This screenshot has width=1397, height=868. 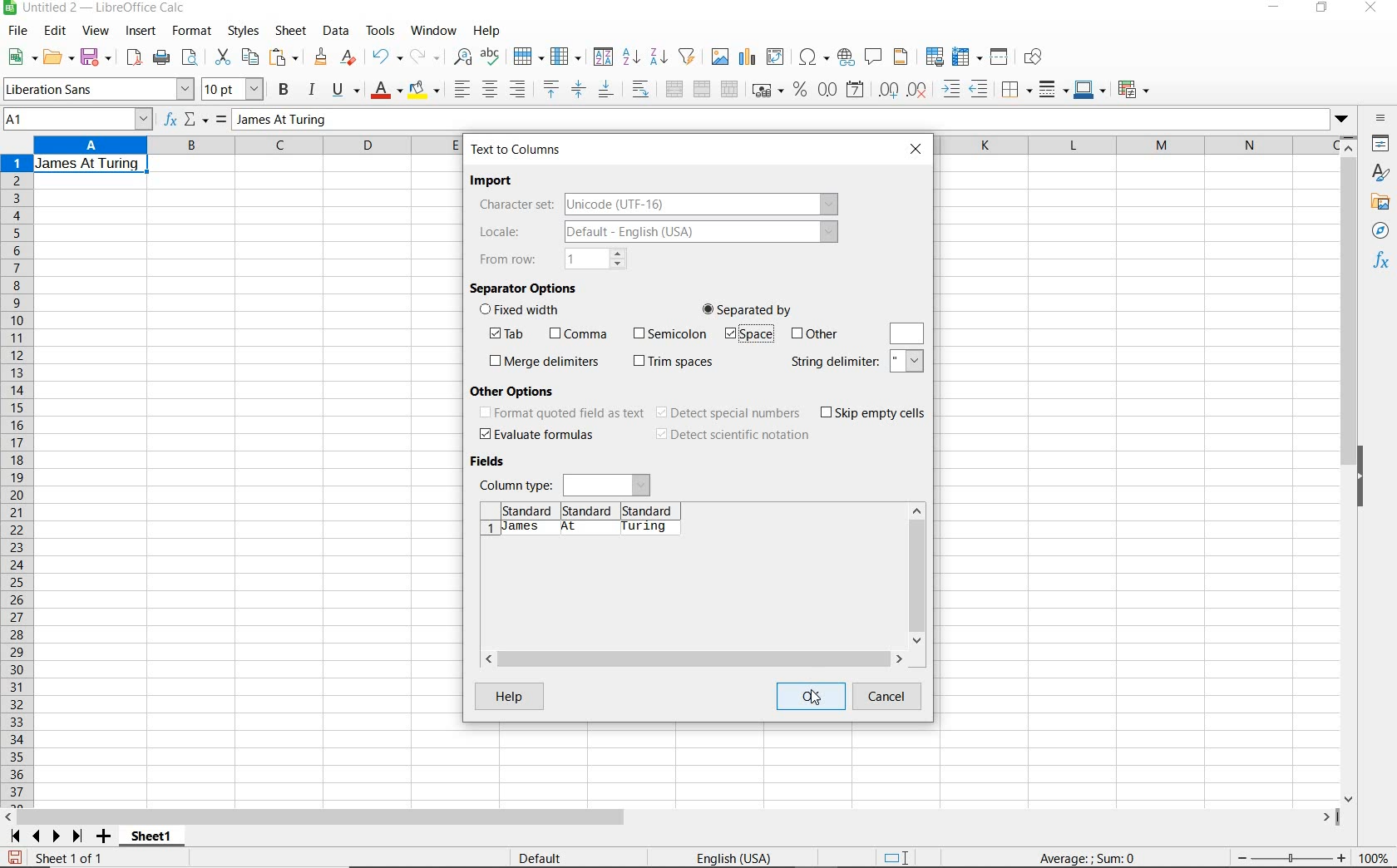 What do you see at coordinates (426, 57) in the screenshot?
I see `redo` at bounding box center [426, 57].